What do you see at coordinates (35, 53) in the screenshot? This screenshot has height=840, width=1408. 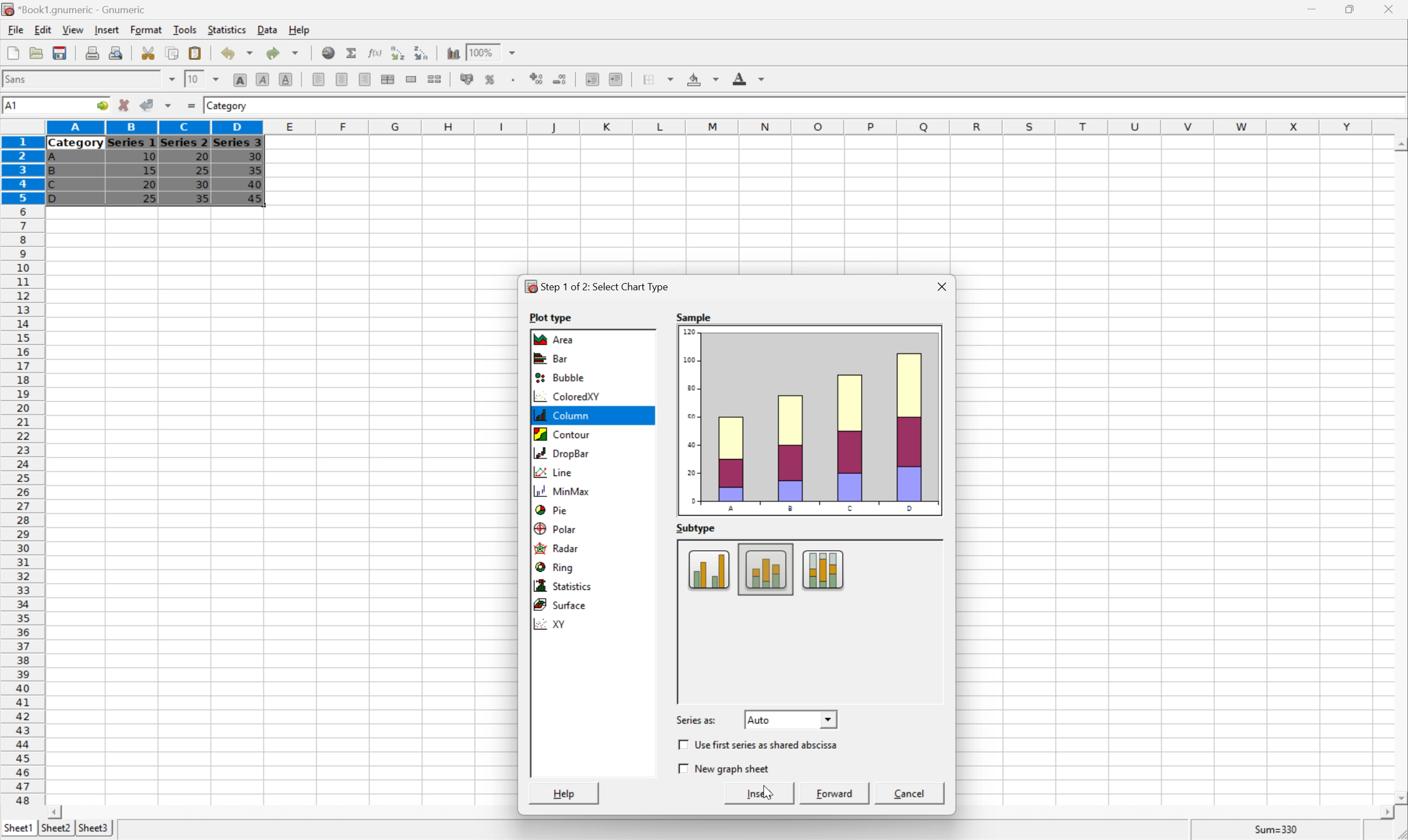 I see `Open a file` at bounding box center [35, 53].